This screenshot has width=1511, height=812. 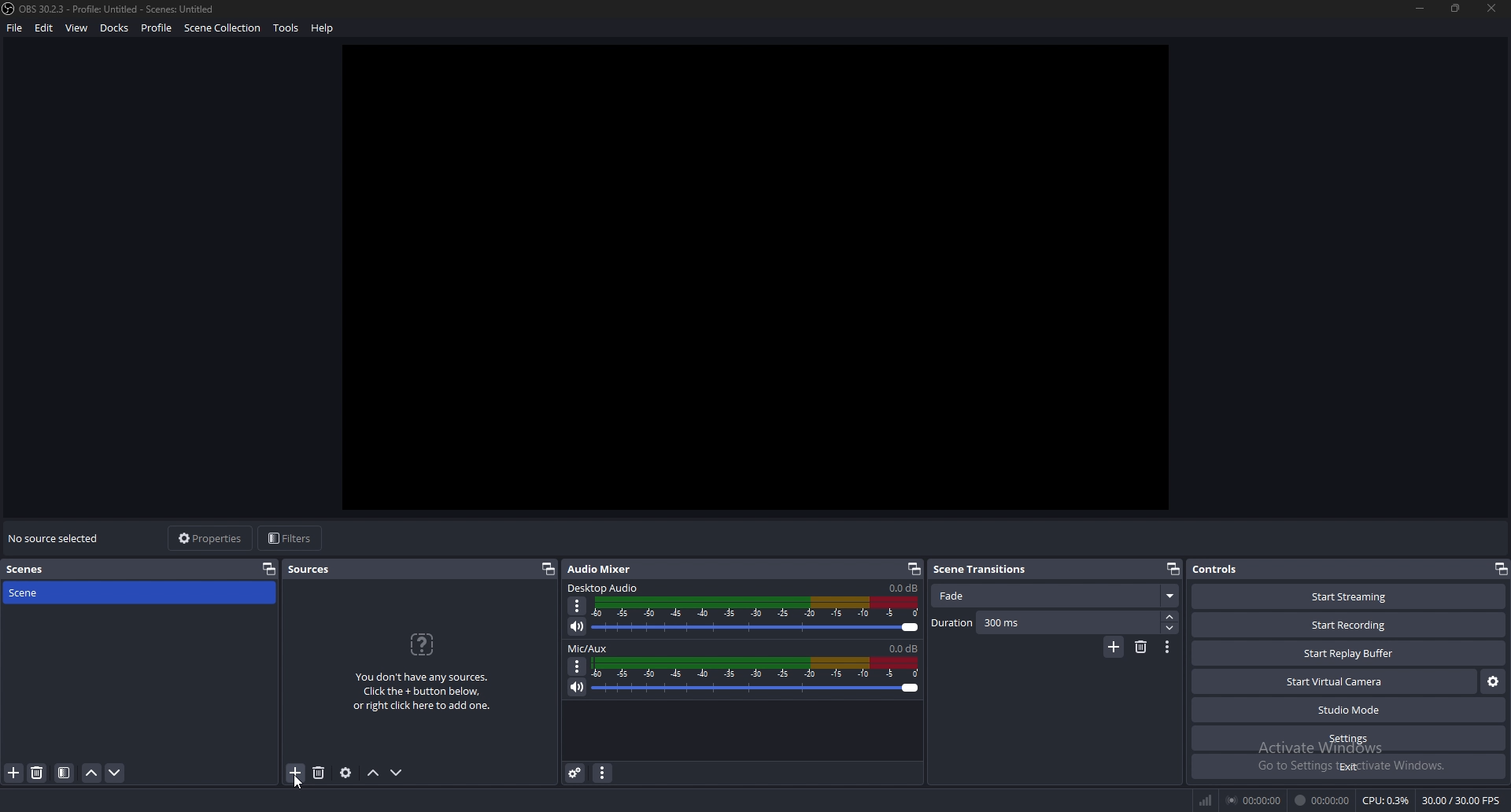 What do you see at coordinates (54, 539) in the screenshot?
I see `no source selected` at bounding box center [54, 539].